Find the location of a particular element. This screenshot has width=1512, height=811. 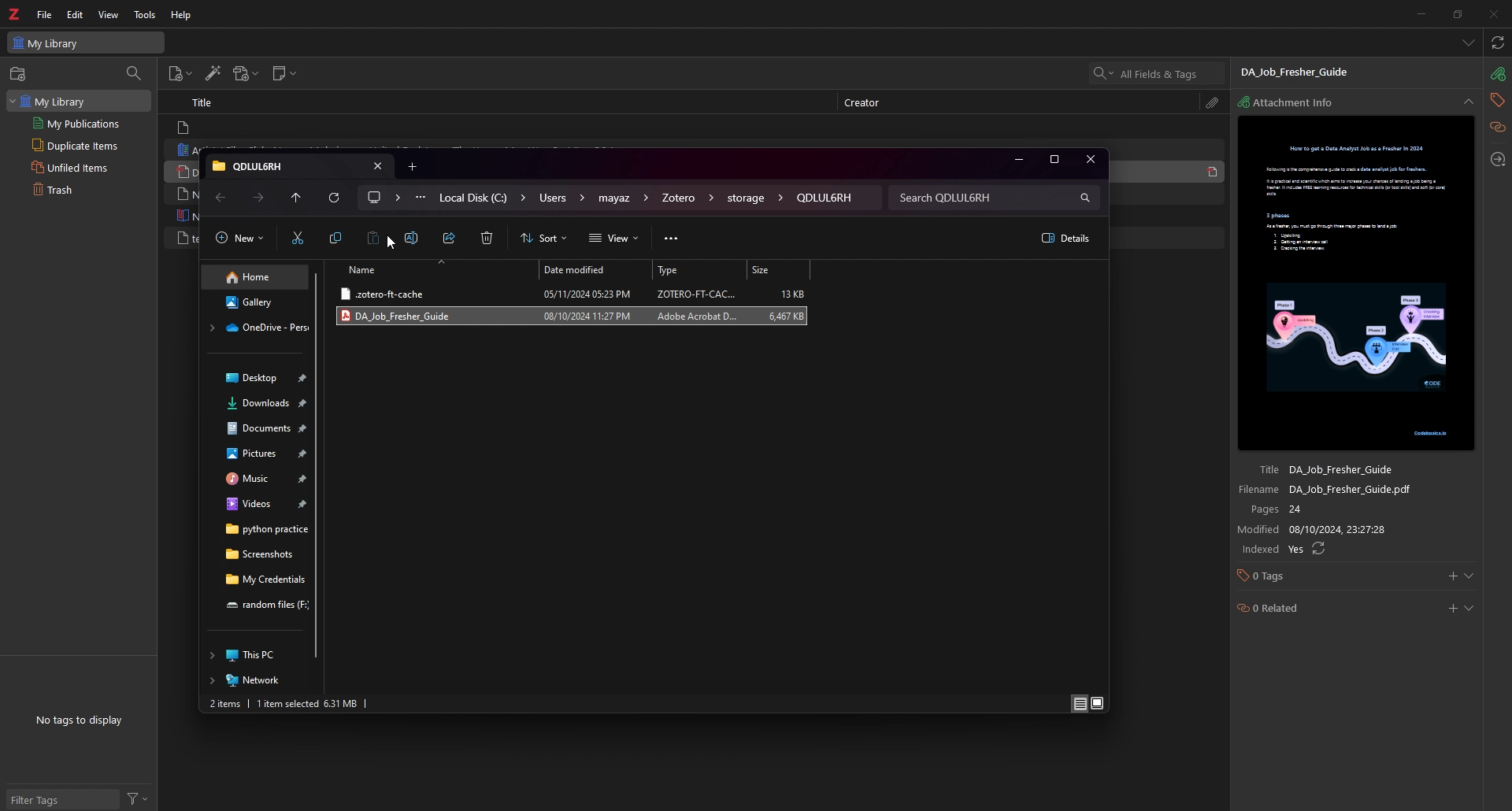

duplicate items is located at coordinates (80, 145).